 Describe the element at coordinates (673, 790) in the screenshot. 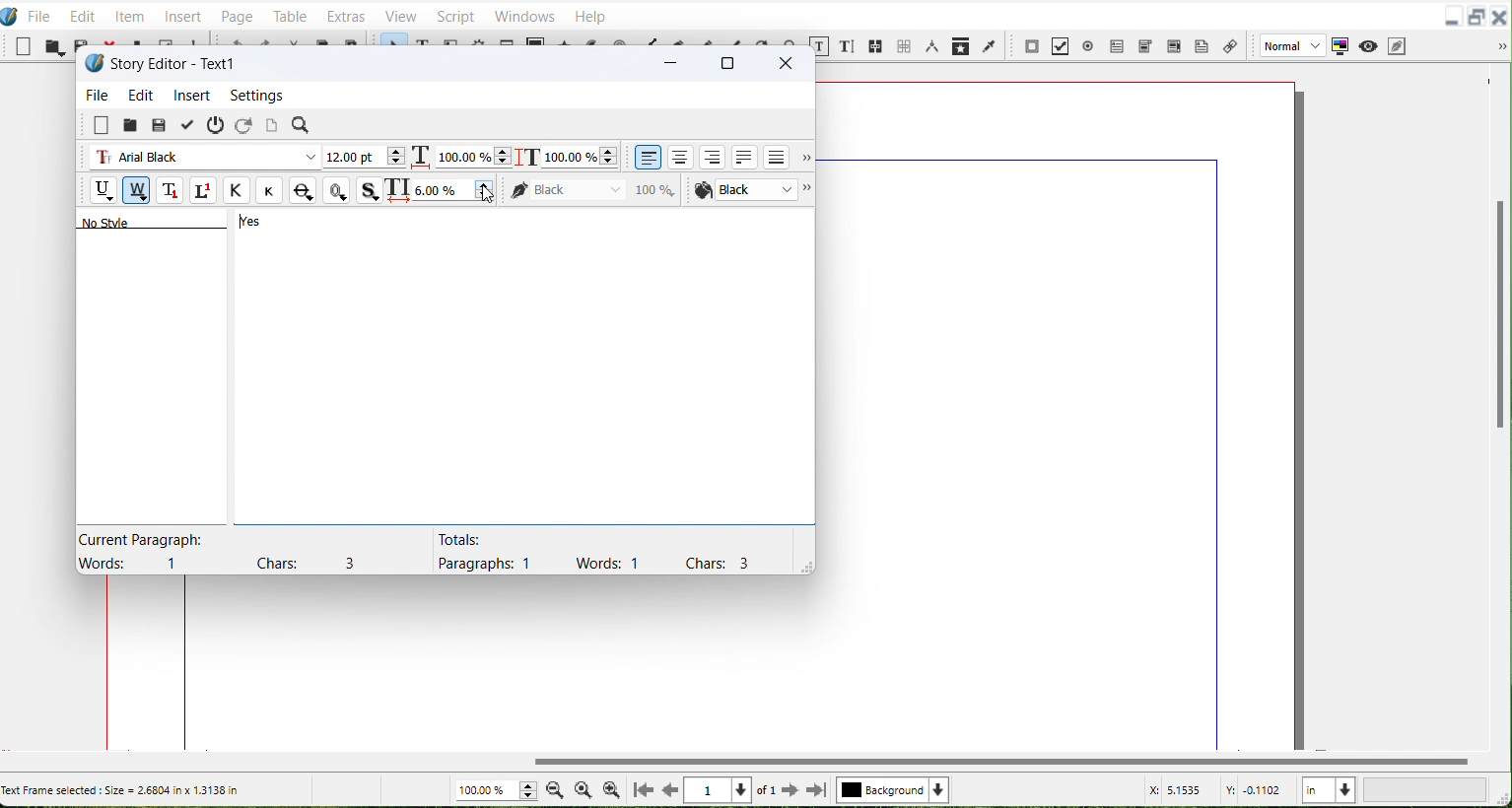

I see `Go to previous page` at that location.